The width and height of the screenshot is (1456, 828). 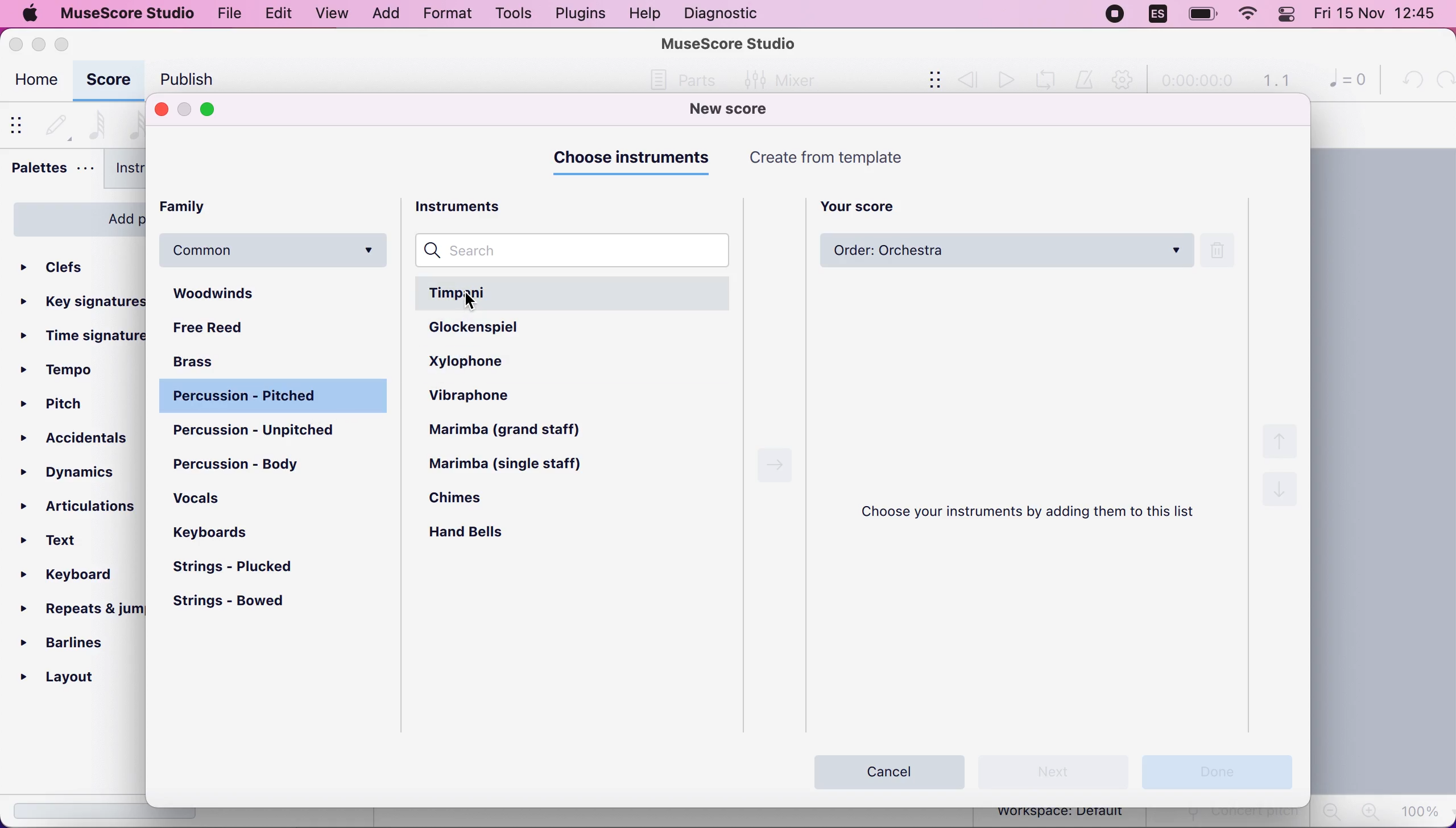 I want to click on playback settings, so click(x=1126, y=81).